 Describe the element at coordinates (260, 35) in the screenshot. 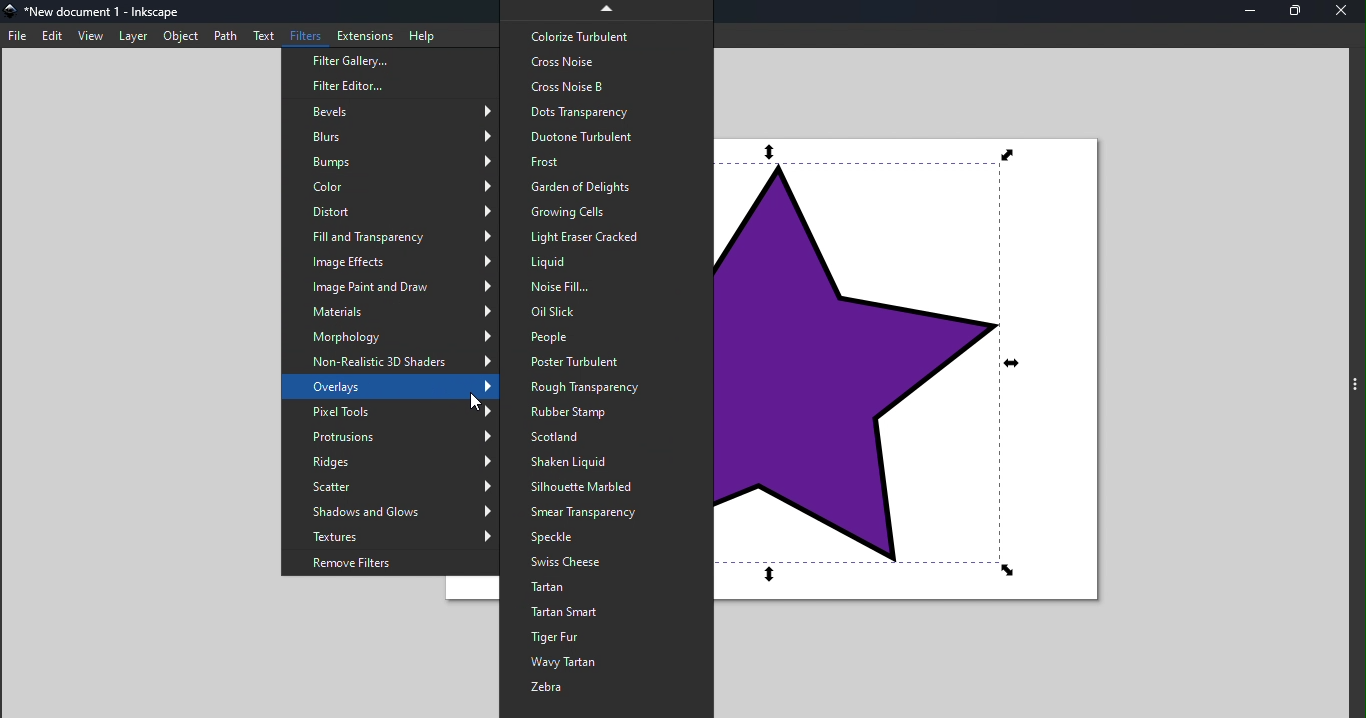

I see `Text` at that location.